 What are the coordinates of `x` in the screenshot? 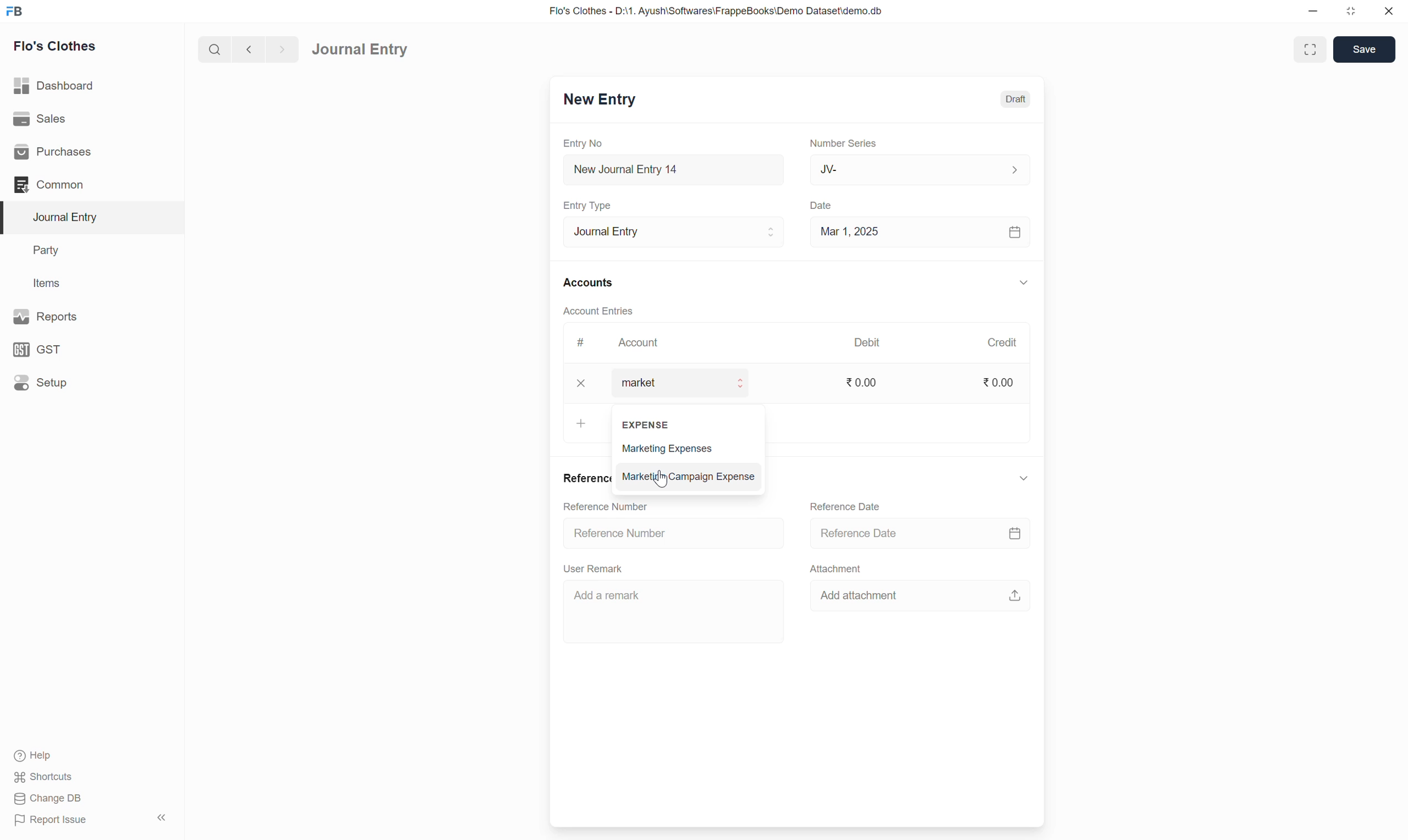 It's located at (583, 383).